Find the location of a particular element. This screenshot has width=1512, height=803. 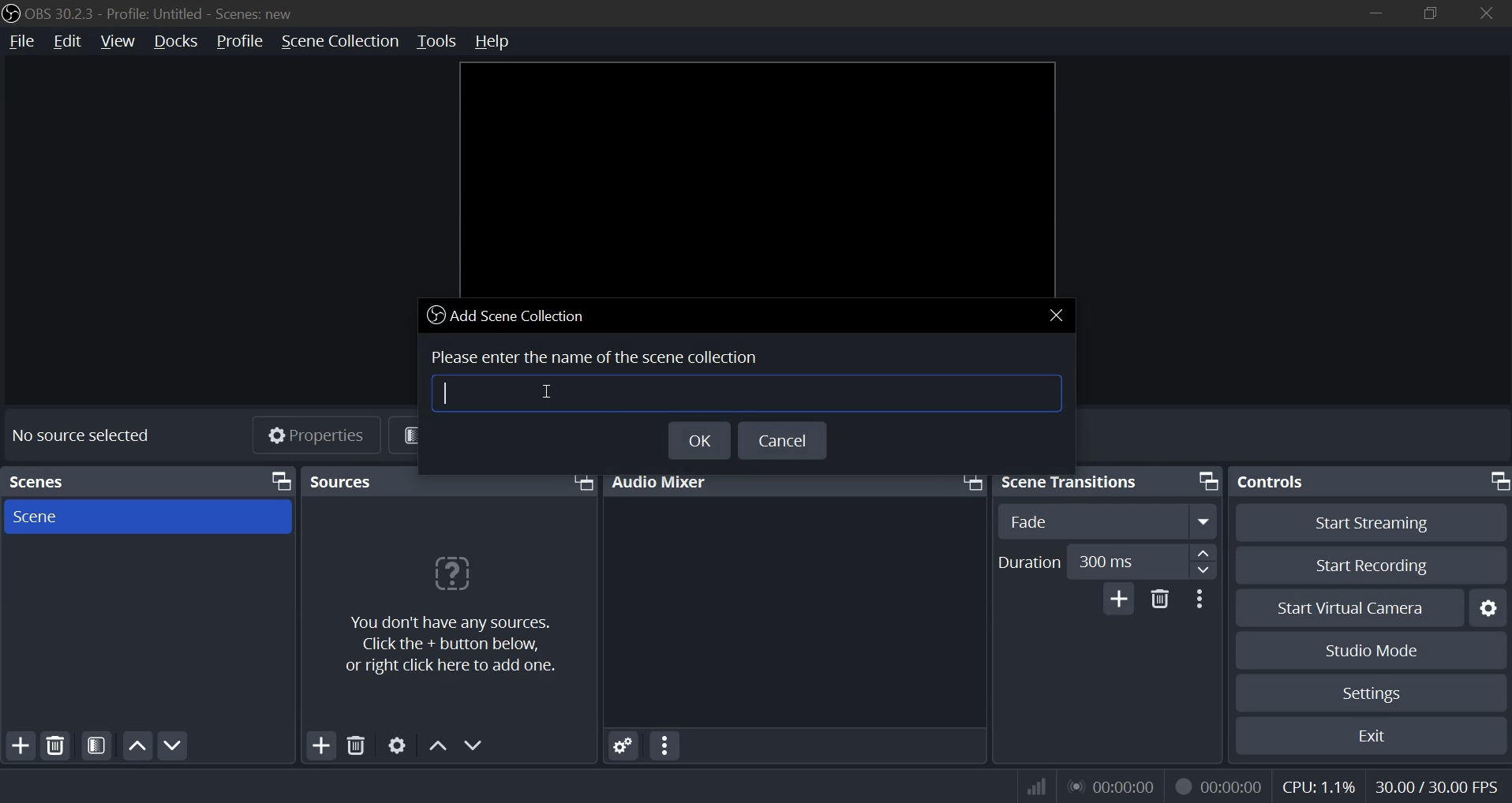

file is located at coordinates (21, 42).